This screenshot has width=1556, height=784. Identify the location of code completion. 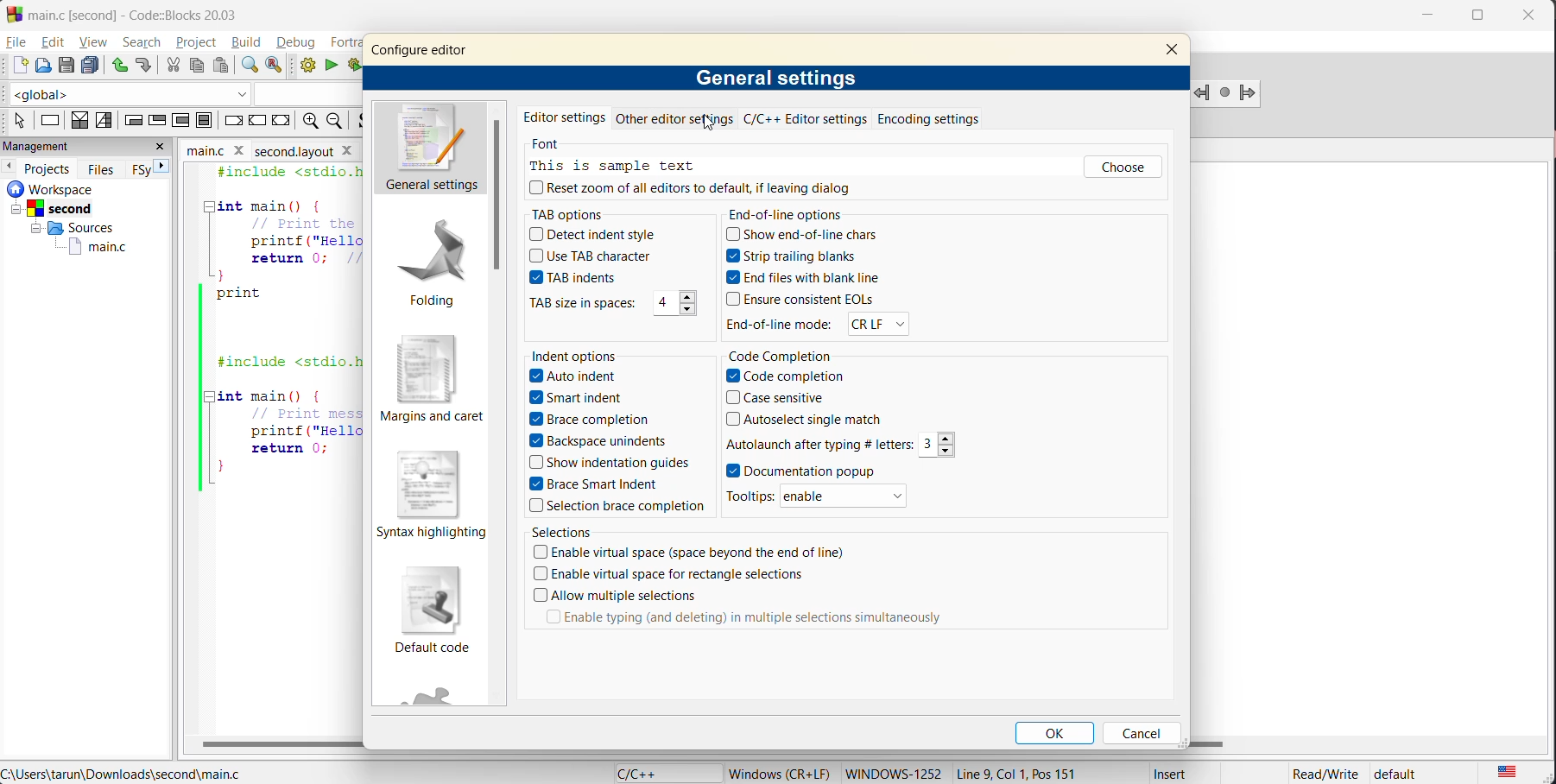
(851, 354).